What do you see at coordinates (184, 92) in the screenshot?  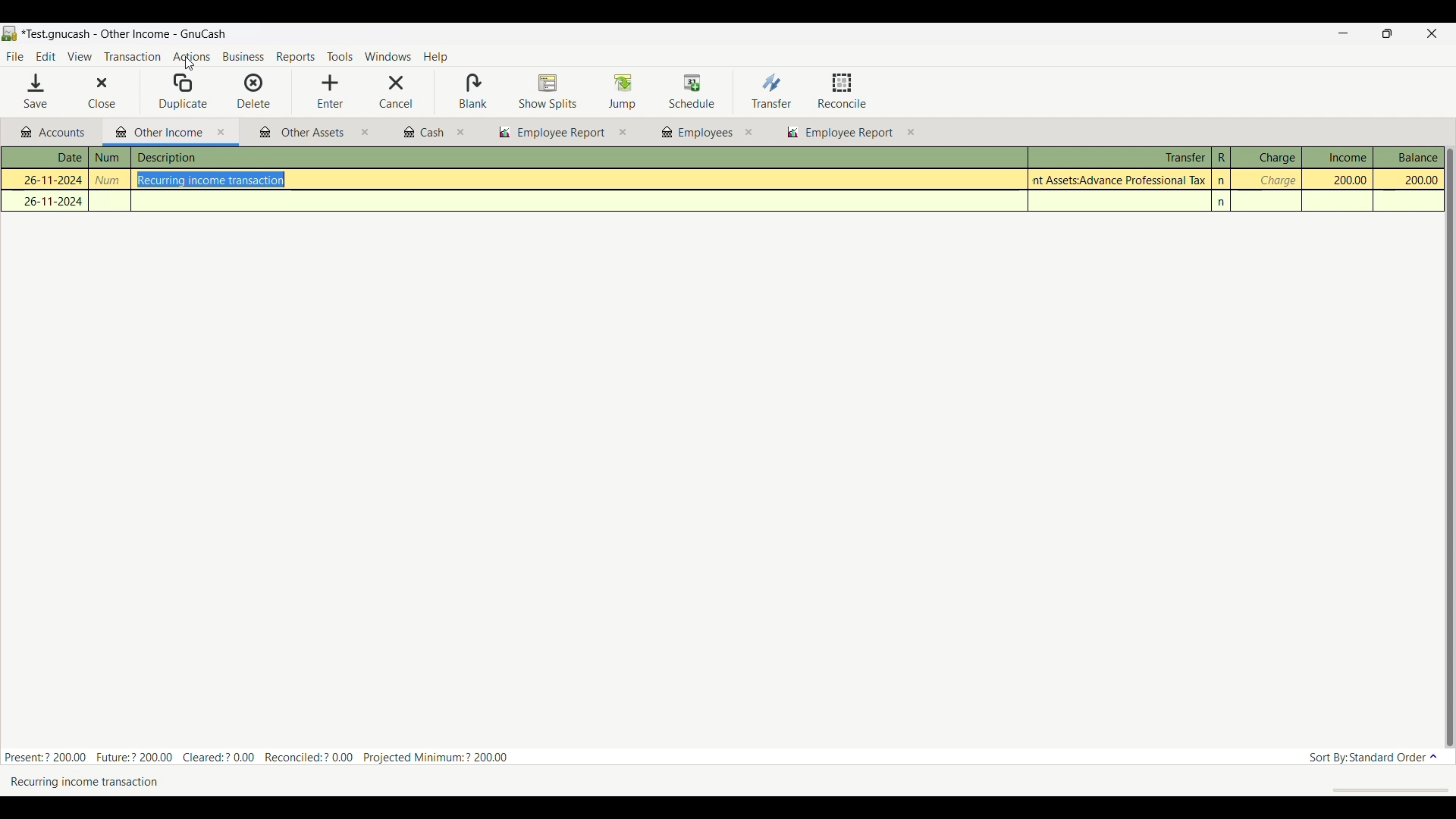 I see `Duplicate` at bounding box center [184, 92].